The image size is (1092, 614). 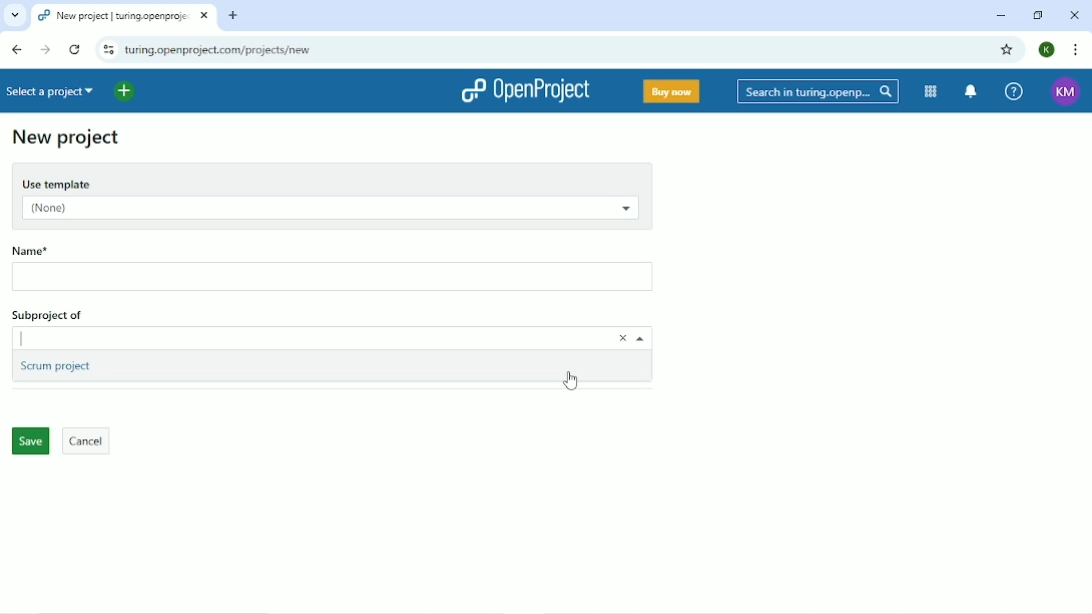 What do you see at coordinates (331, 181) in the screenshot?
I see `Use template` at bounding box center [331, 181].